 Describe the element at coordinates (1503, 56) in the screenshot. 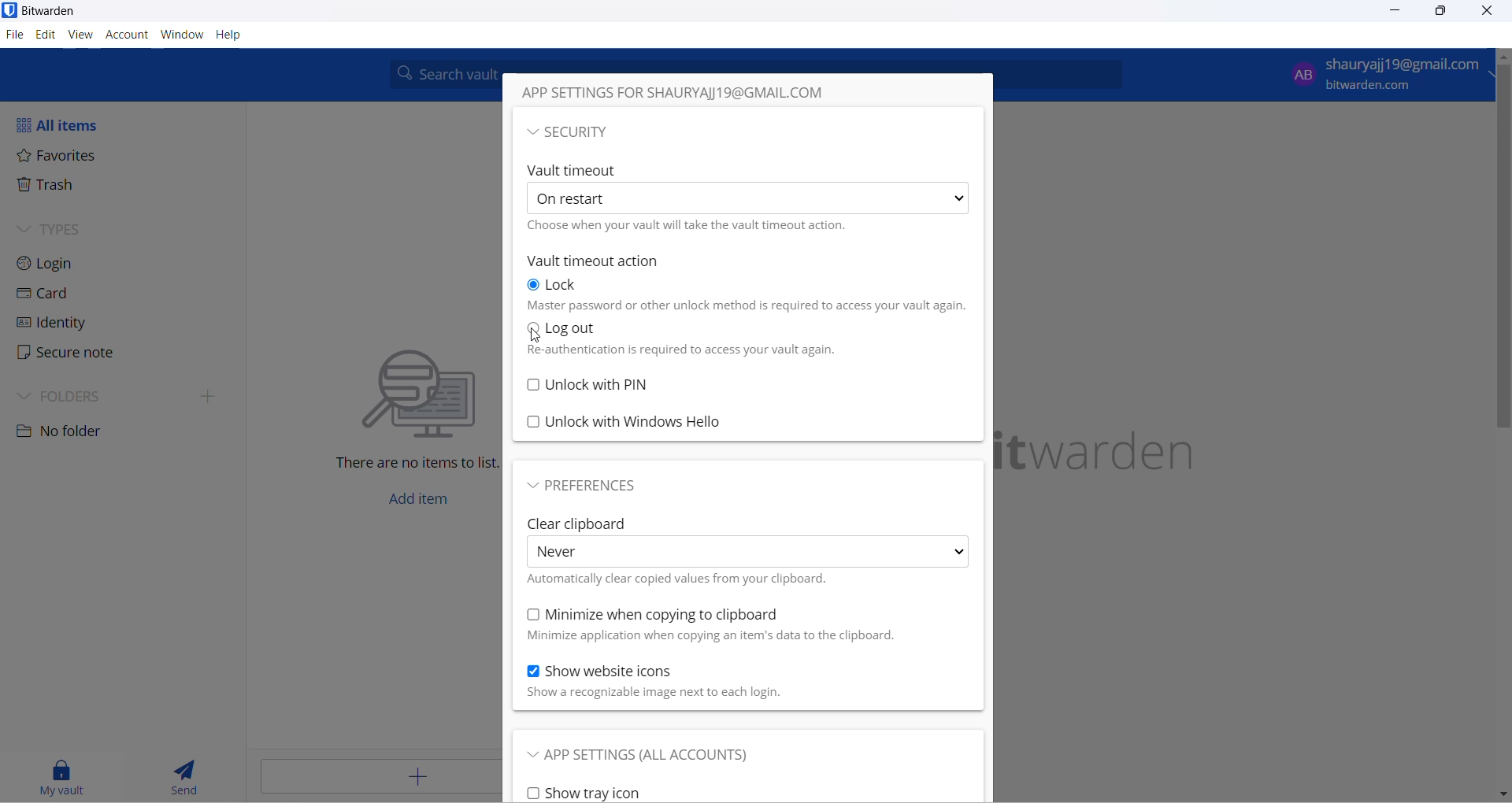

I see `move up` at that location.